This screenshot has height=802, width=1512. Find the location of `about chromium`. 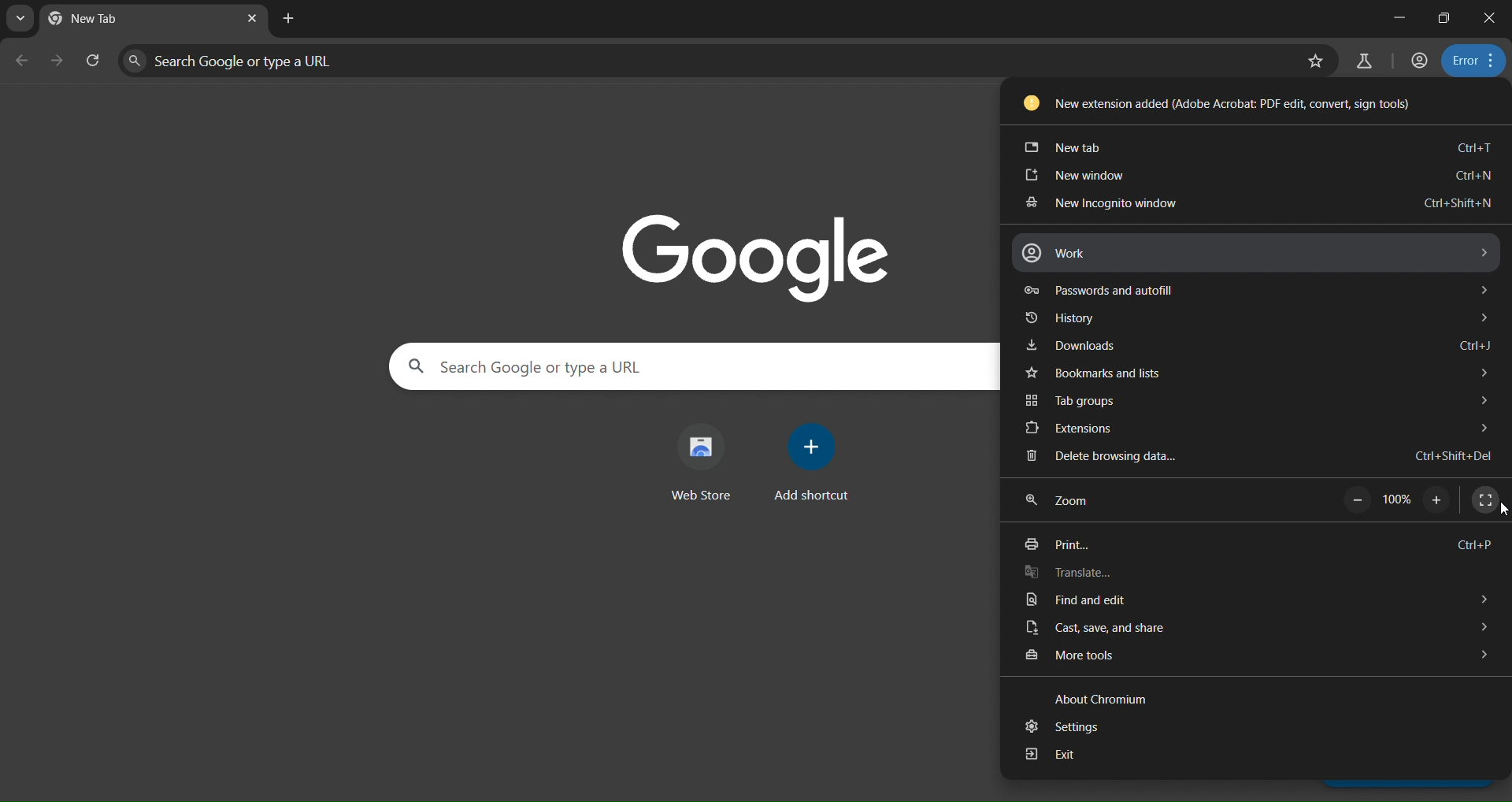

about chromium is located at coordinates (1101, 698).